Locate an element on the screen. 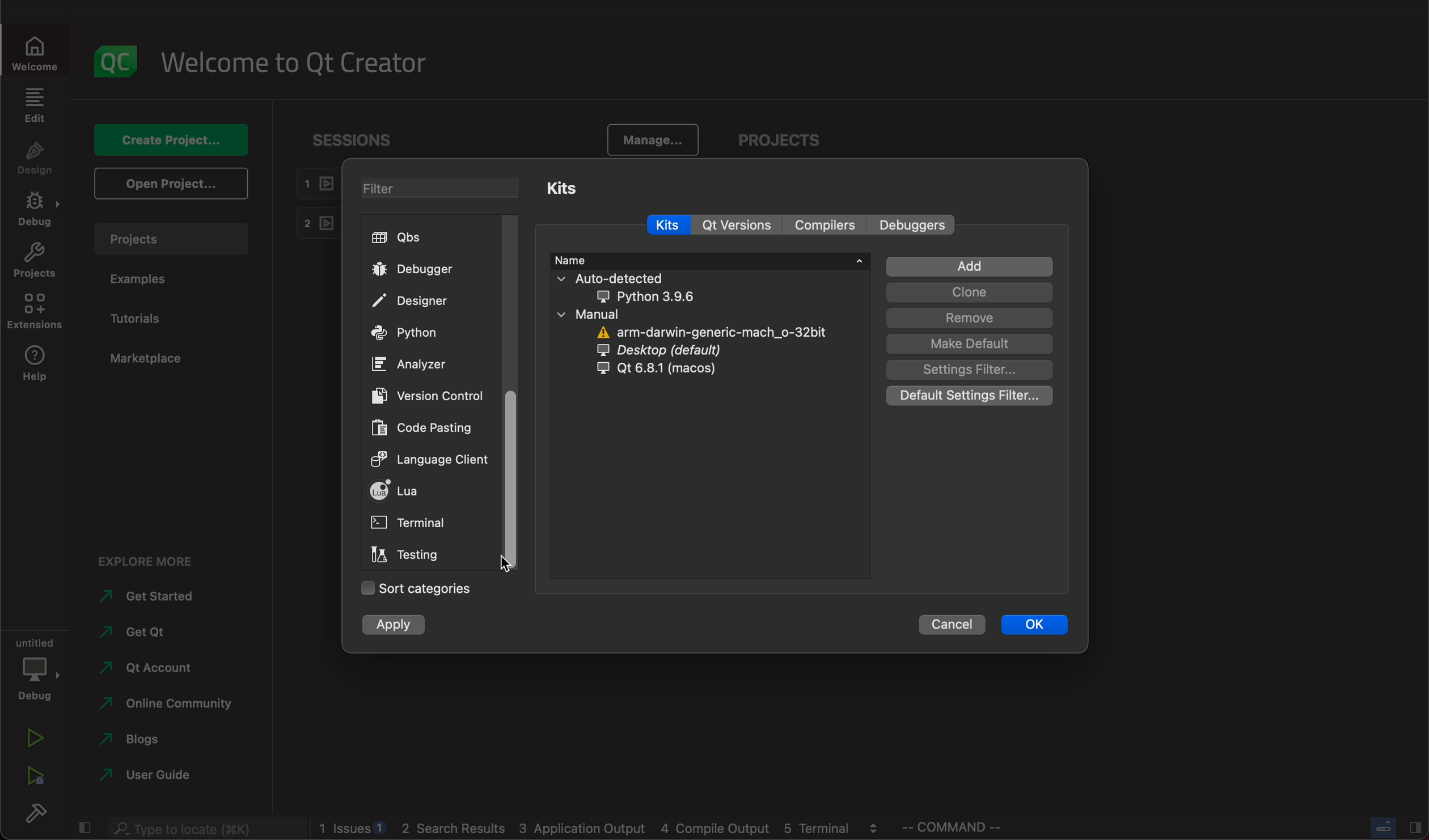 This screenshot has width=1429, height=840. examples is located at coordinates (149, 279).